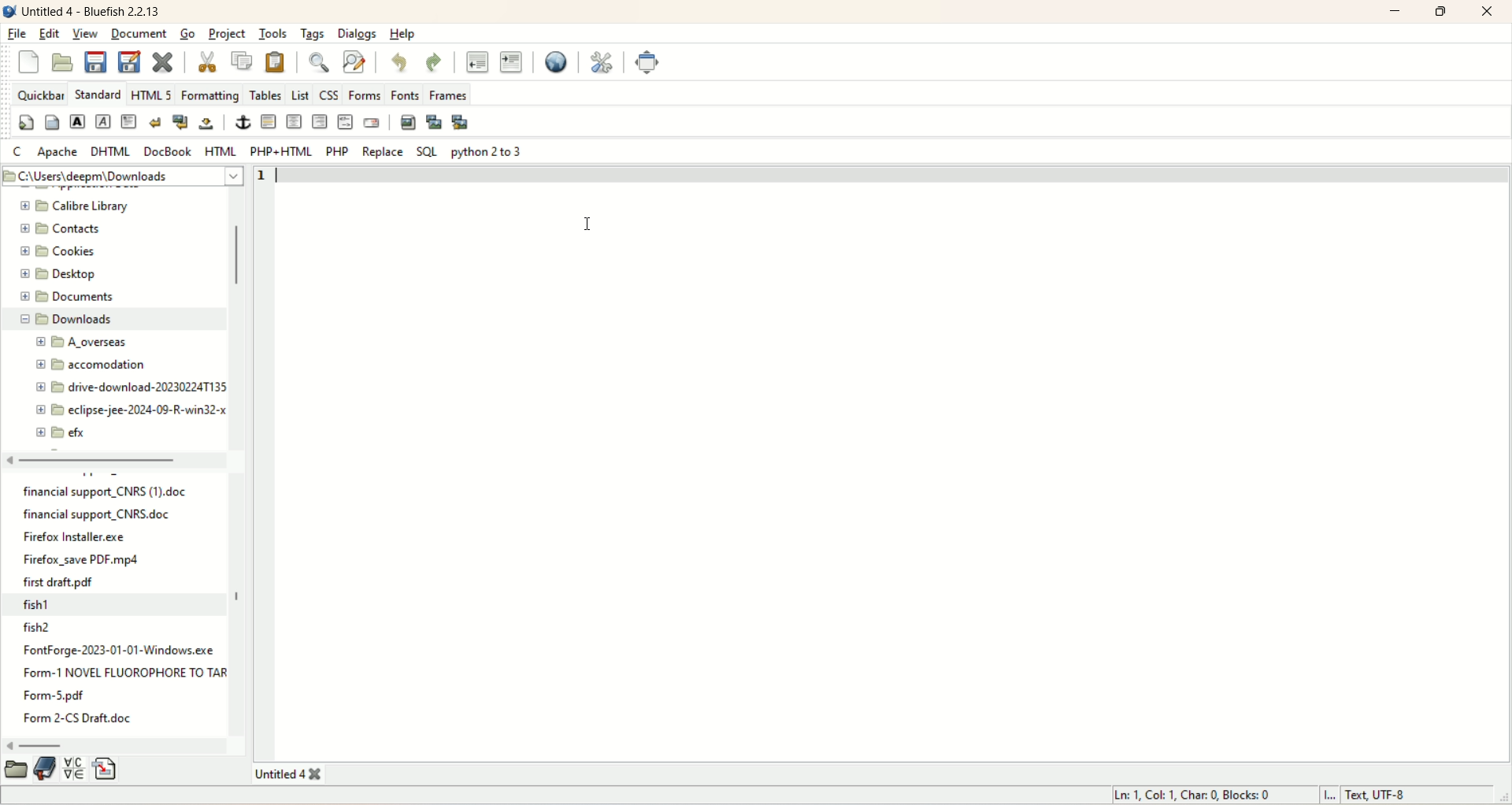 This screenshot has height=805, width=1512. I want to click on PHP, so click(338, 150).